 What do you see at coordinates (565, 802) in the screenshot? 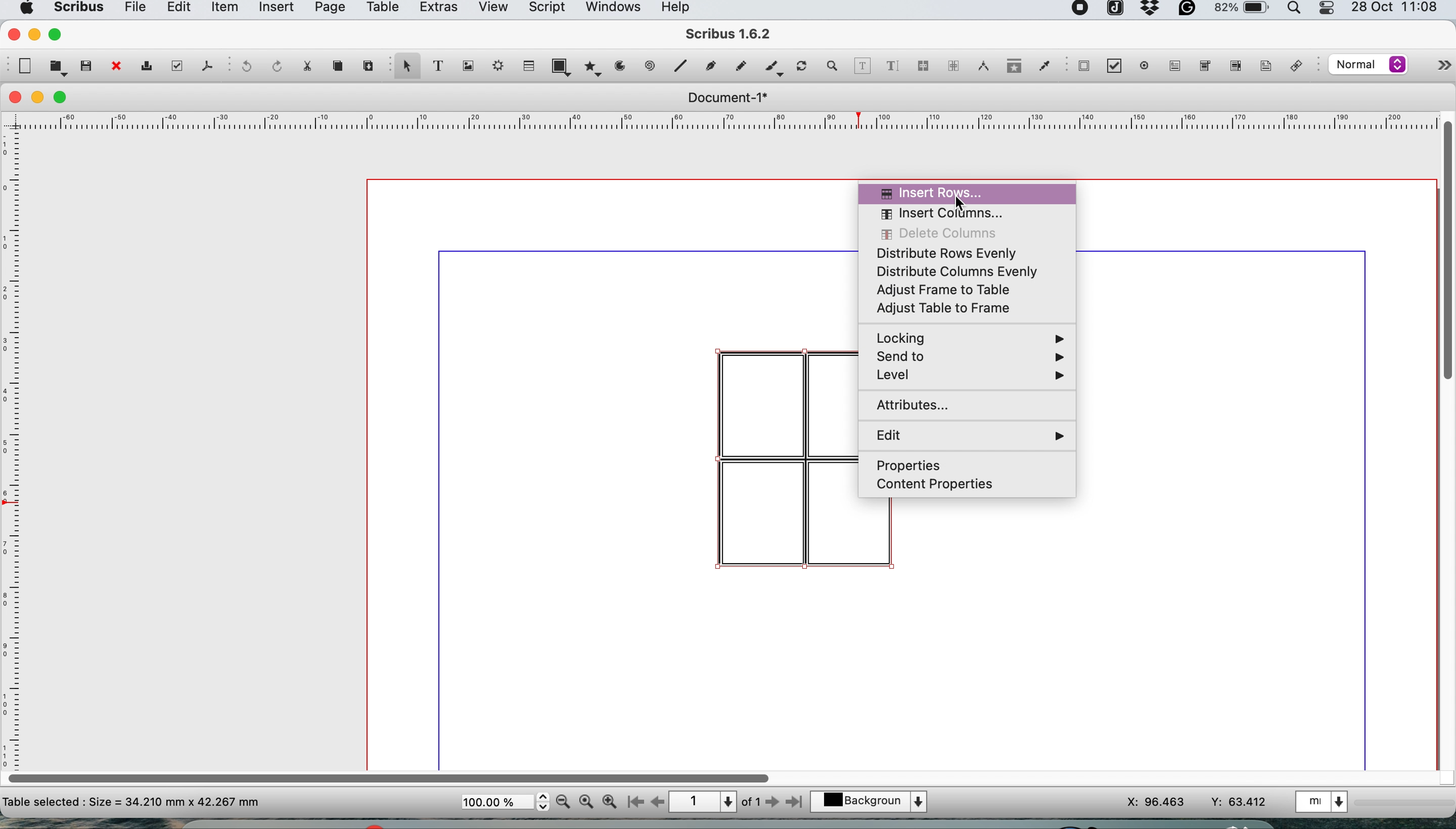
I see `zoom out` at bounding box center [565, 802].